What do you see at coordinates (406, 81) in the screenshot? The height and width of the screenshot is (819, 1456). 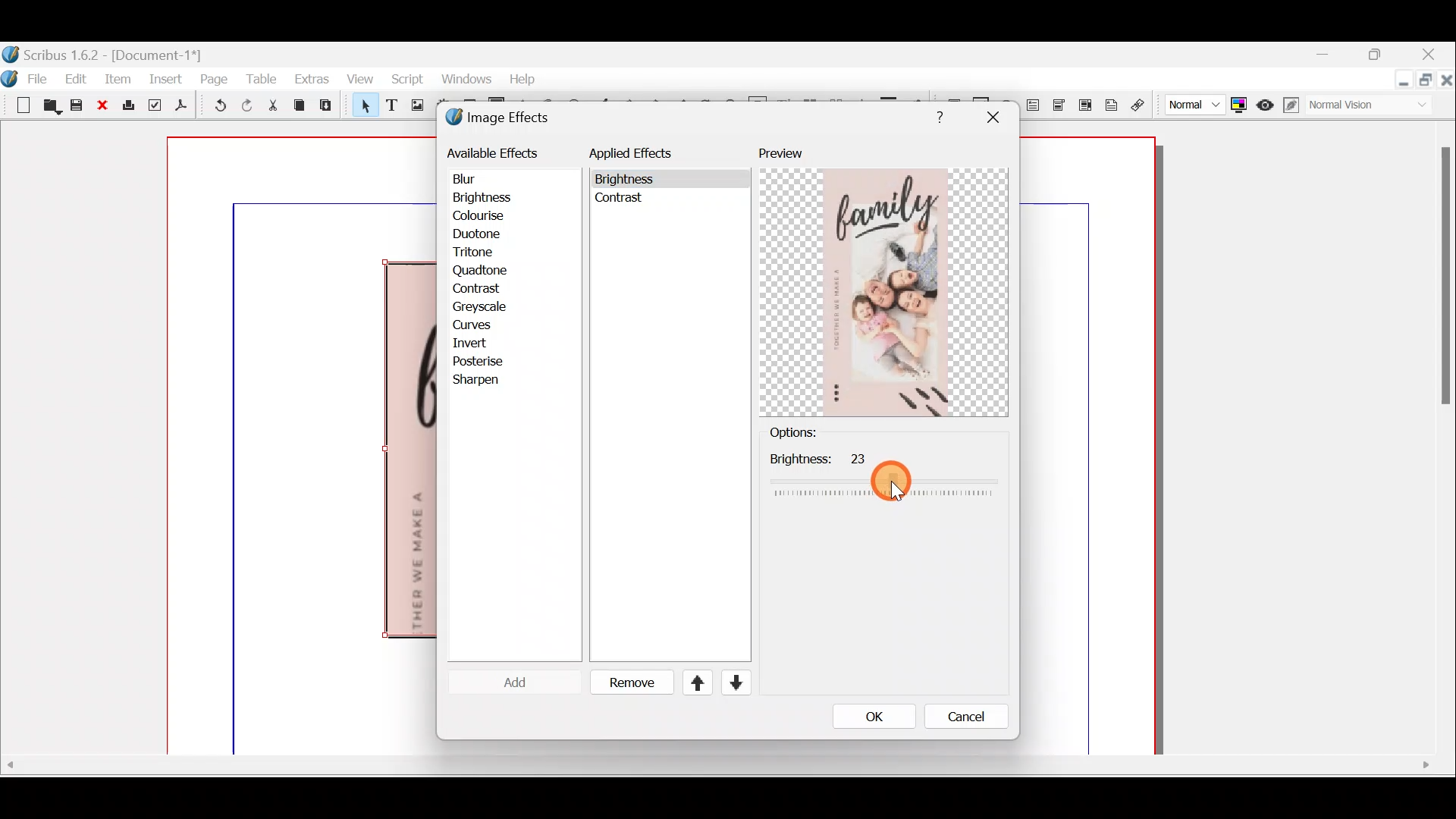 I see `Script` at bounding box center [406, 81].